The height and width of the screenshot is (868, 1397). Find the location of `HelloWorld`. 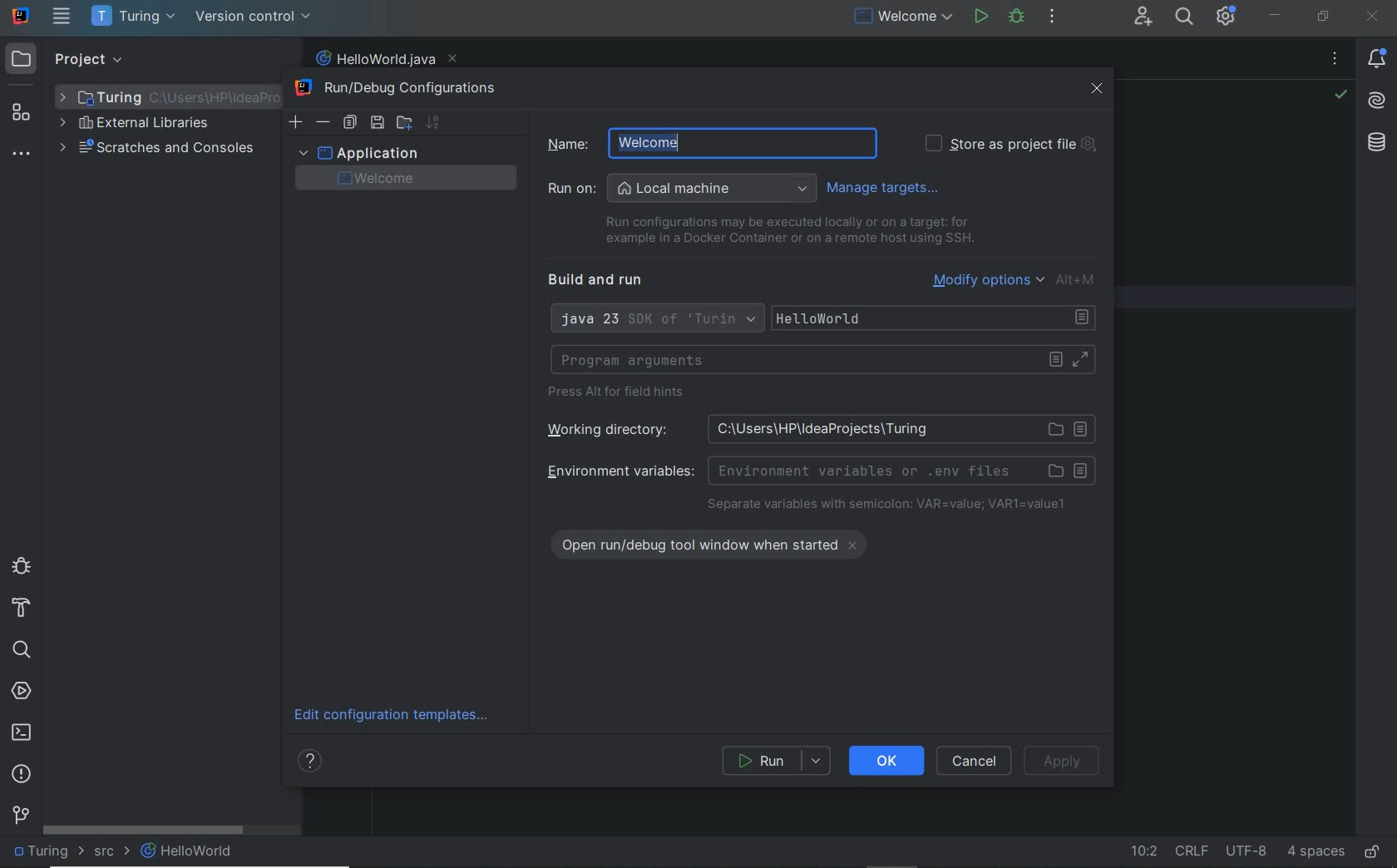

HelloWorld is located at coordinates (937, 318).